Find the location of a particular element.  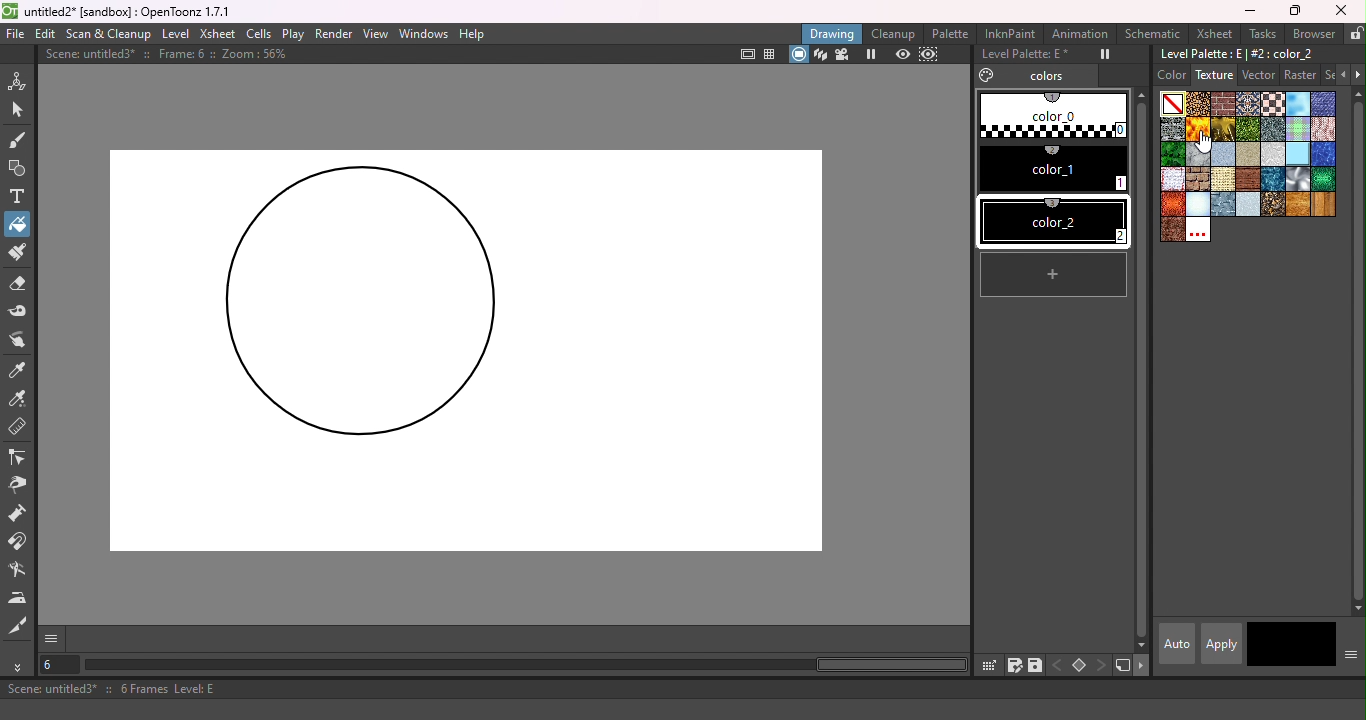

Xsheet is located at coordinates (1214, 34).